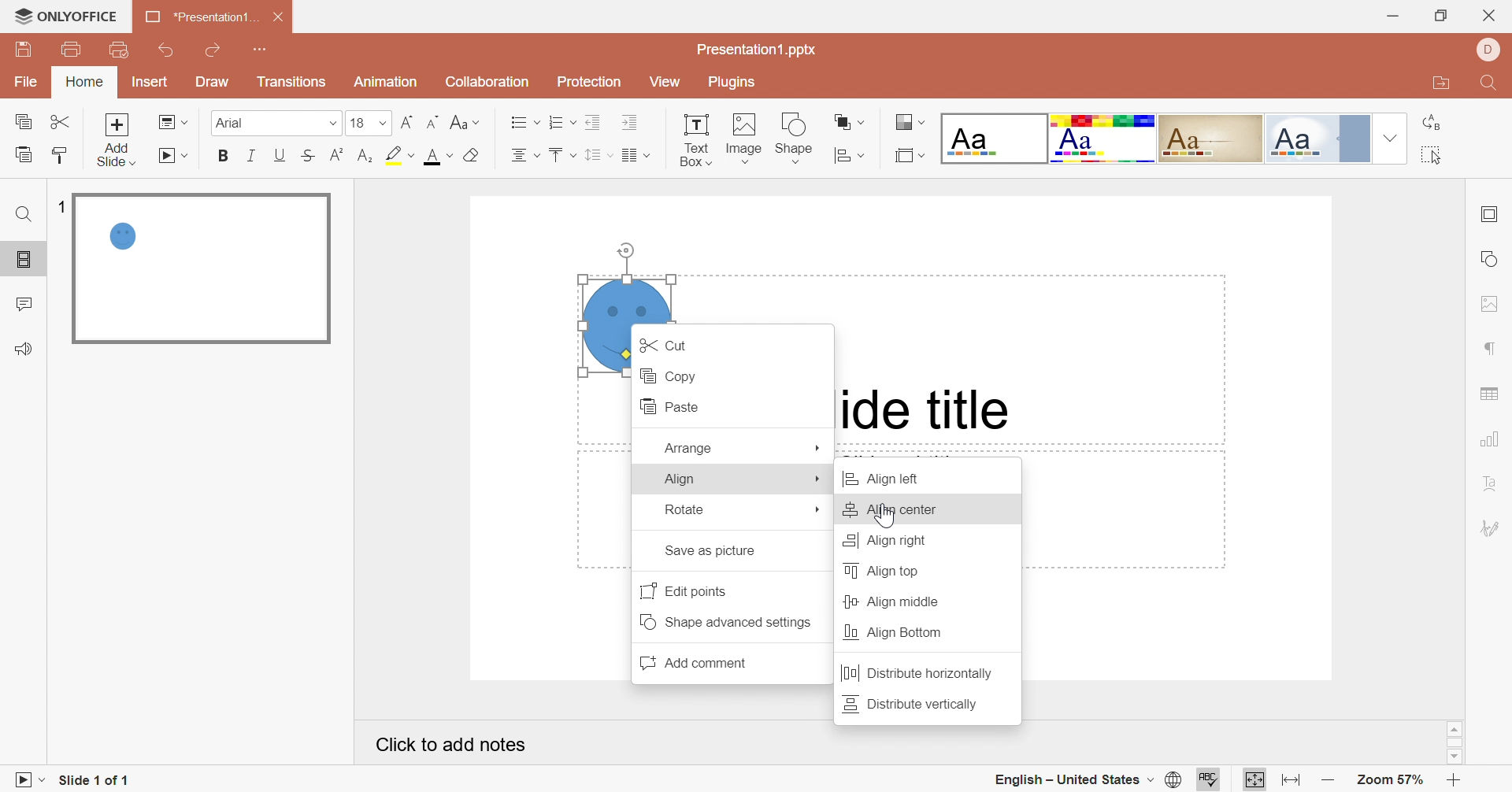  What do you see at coordinates (524, 155) in the screenshot?
I see `Align center` at bounding box center [524, 155].